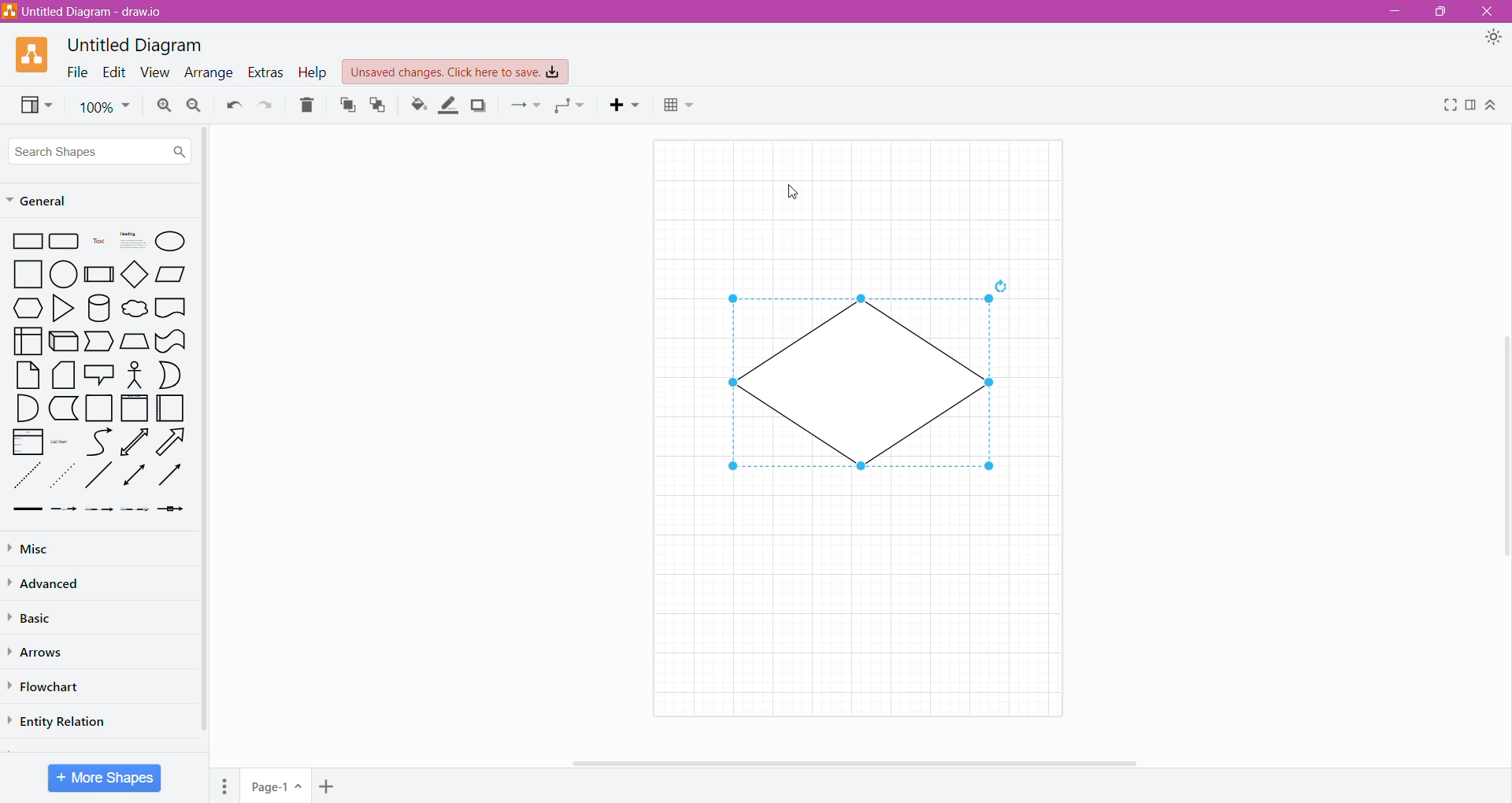  Describe the element at coordinates (65, 242) in the screenshot. I see `Rounded Rectangle` at that location.